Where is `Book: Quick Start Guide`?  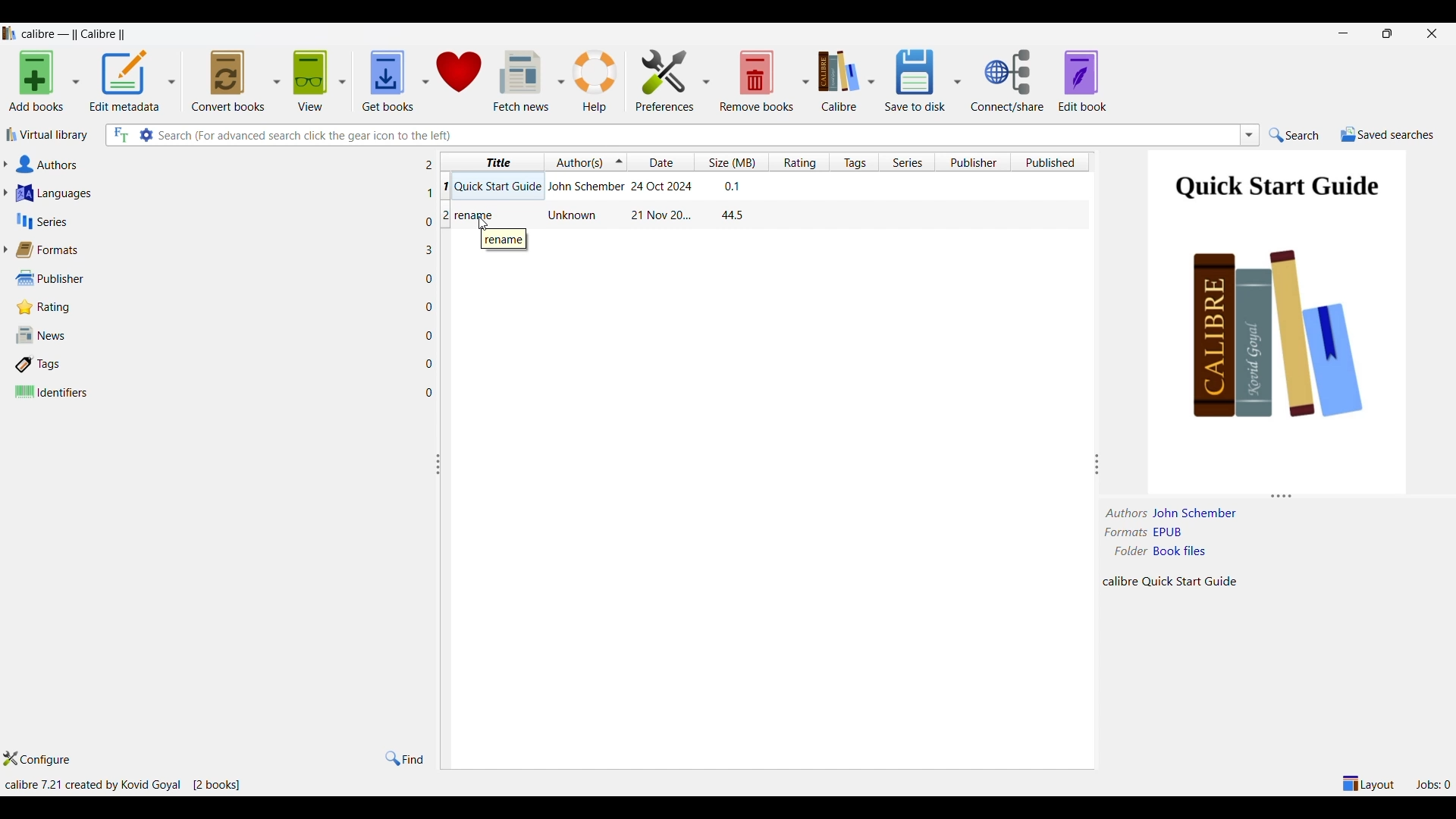
Book: Quick Start Guide is located at coordinates (599, 185).